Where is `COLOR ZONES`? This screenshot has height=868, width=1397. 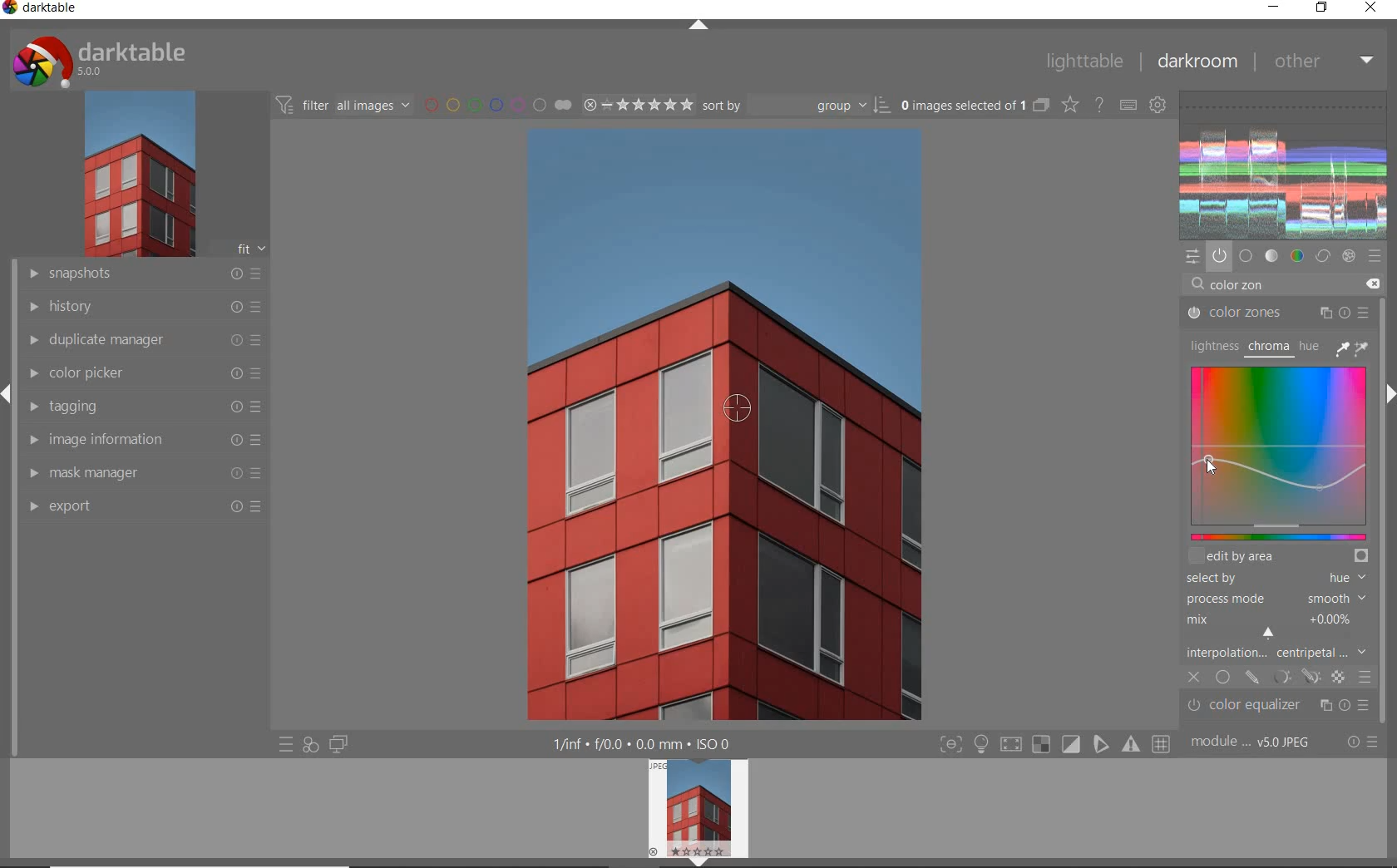 COLOR ZONES is located at coordinates (1278, 313).